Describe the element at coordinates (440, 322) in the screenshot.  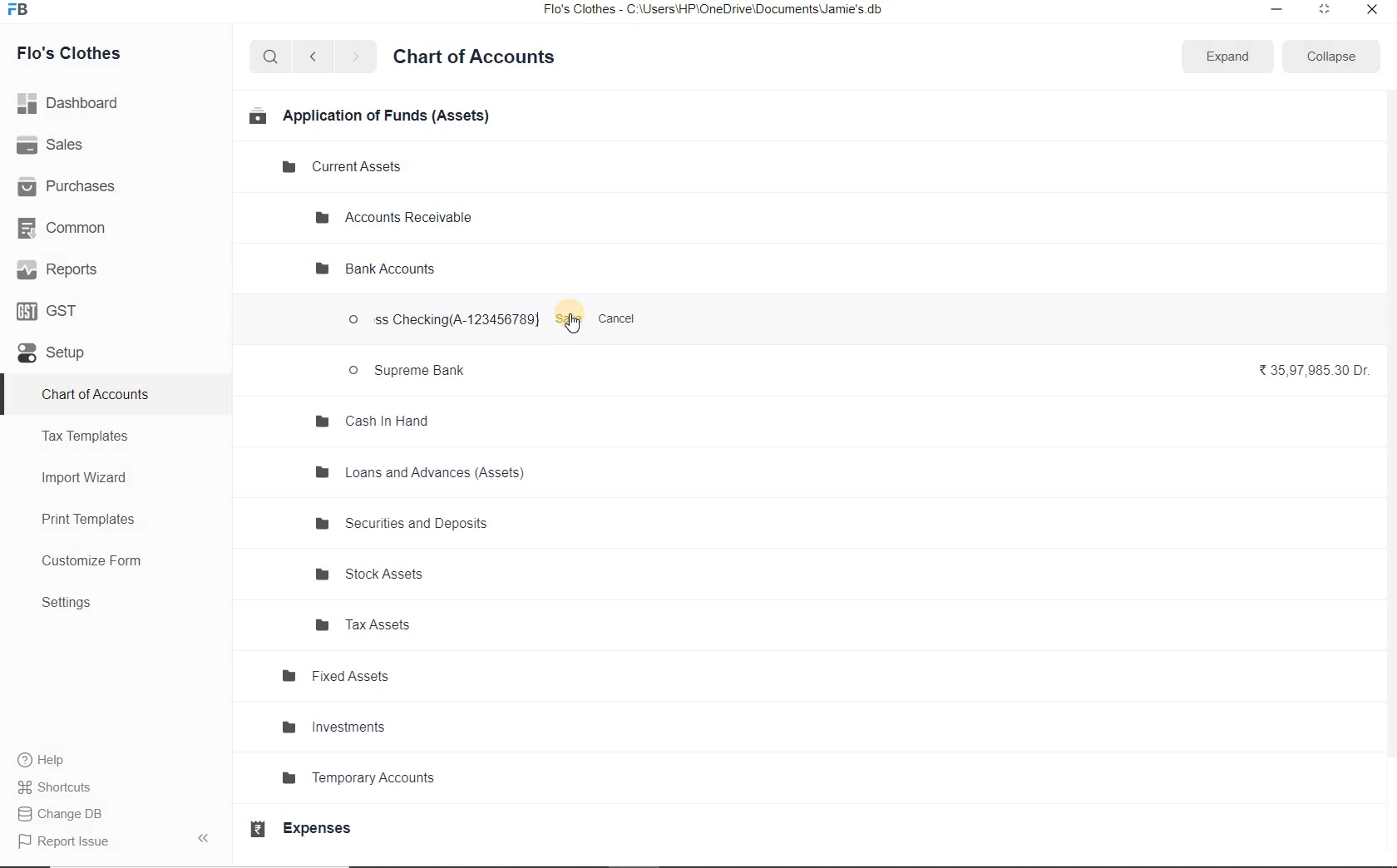
I see `ss Checking(A-123456789]` at that location.